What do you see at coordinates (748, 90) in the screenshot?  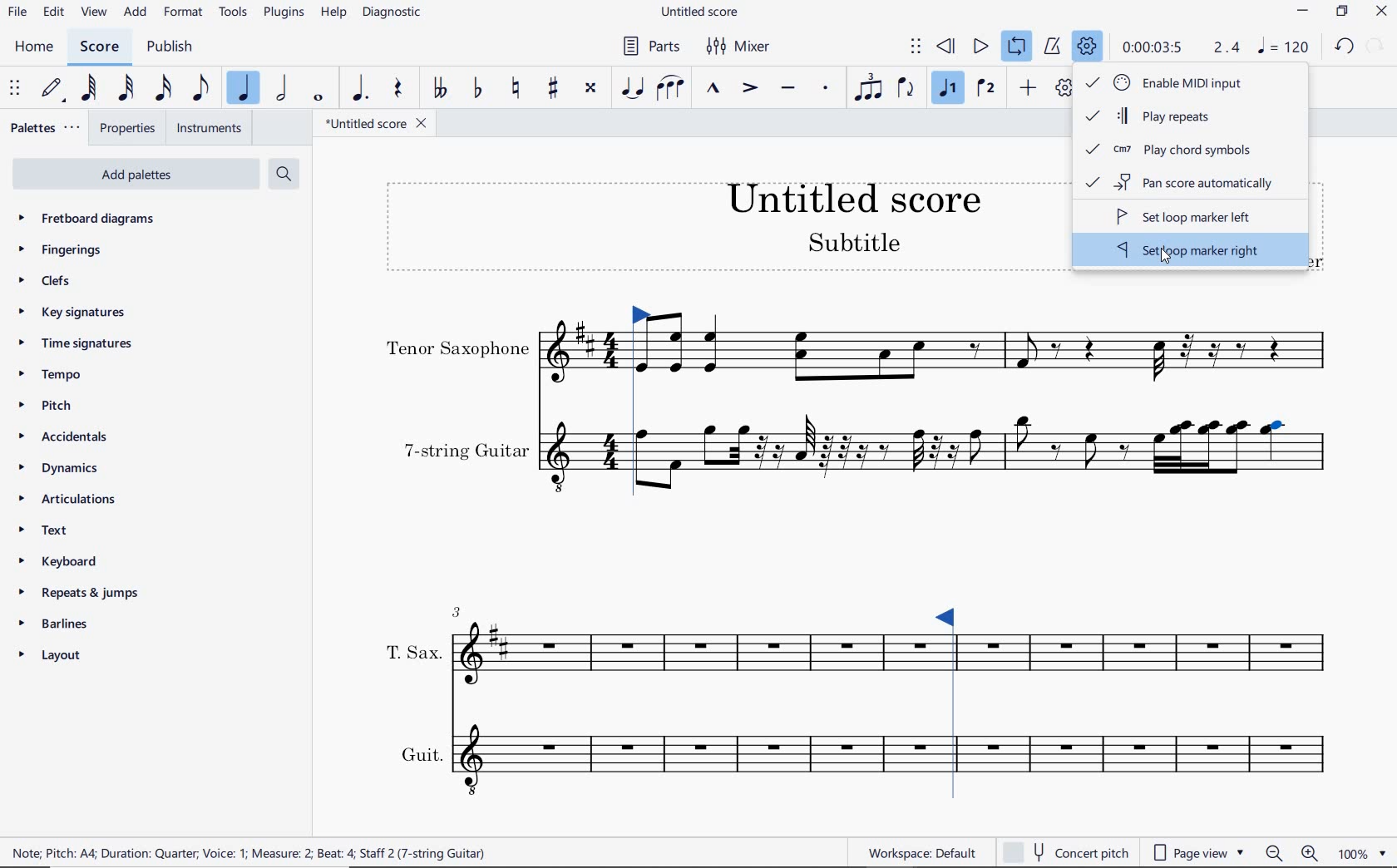 I see `ACCENT` at bounding box center [748, 90].